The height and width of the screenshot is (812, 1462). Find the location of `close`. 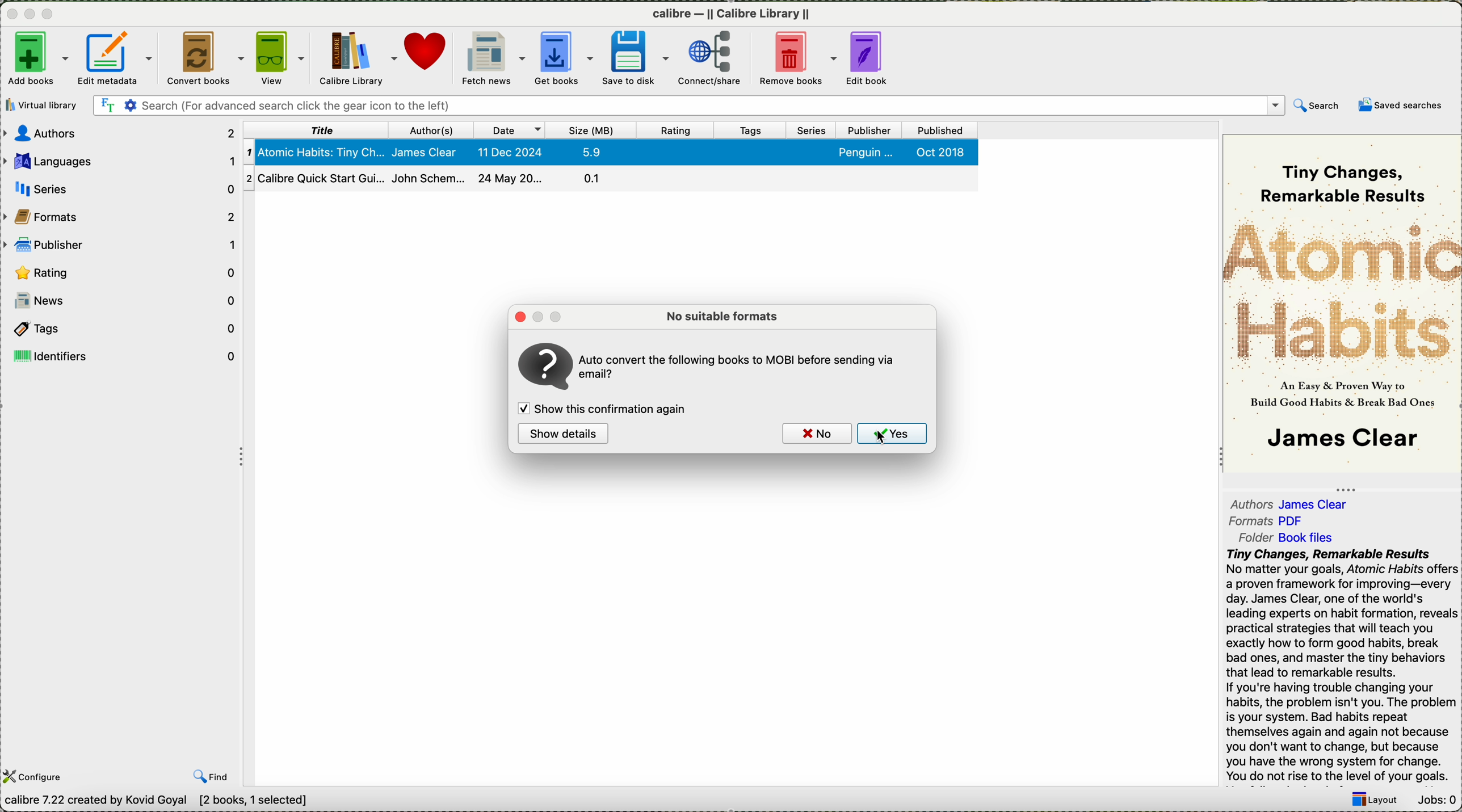

close is located at coordinates (14, 15).